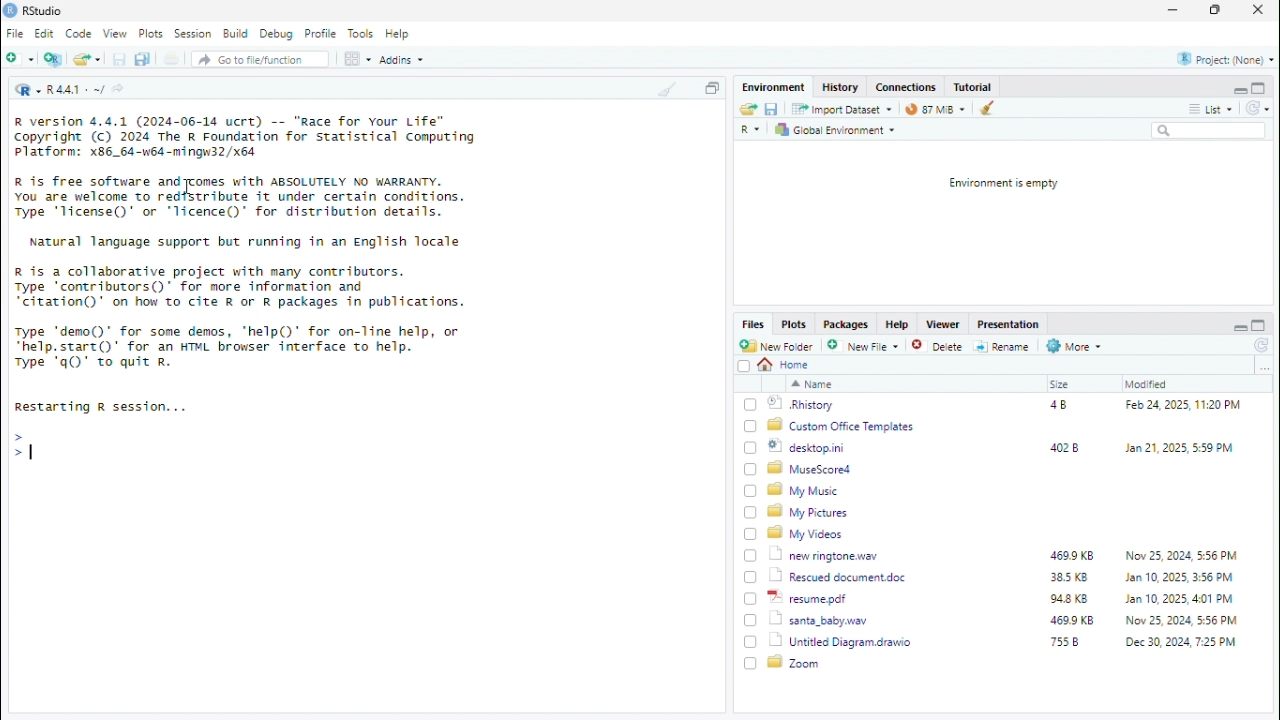  I want to click on Checkbox, so click(750, 620).